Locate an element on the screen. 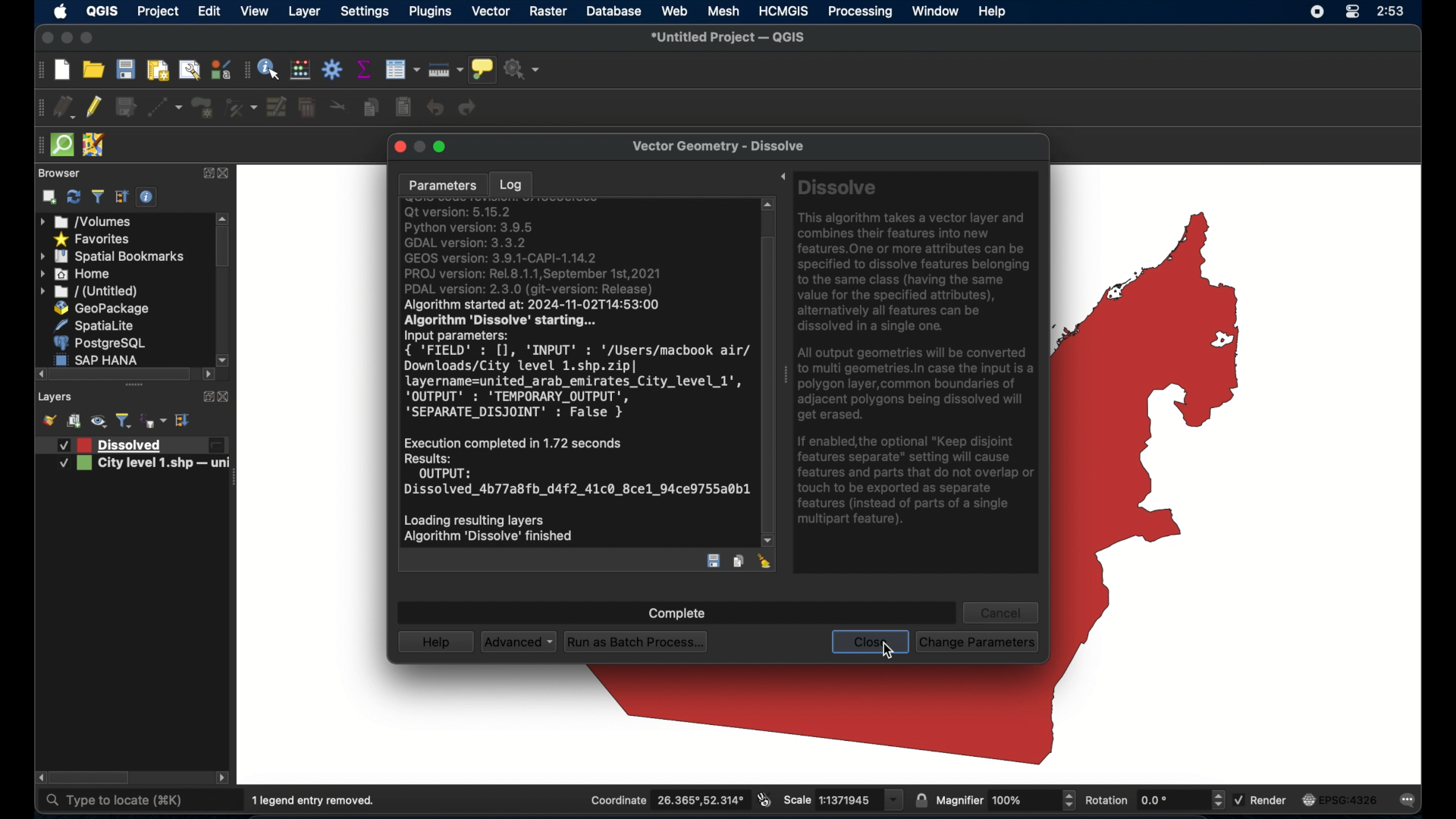 The image size is (1456, 819). postgresql is located at coordinates (102, 343).